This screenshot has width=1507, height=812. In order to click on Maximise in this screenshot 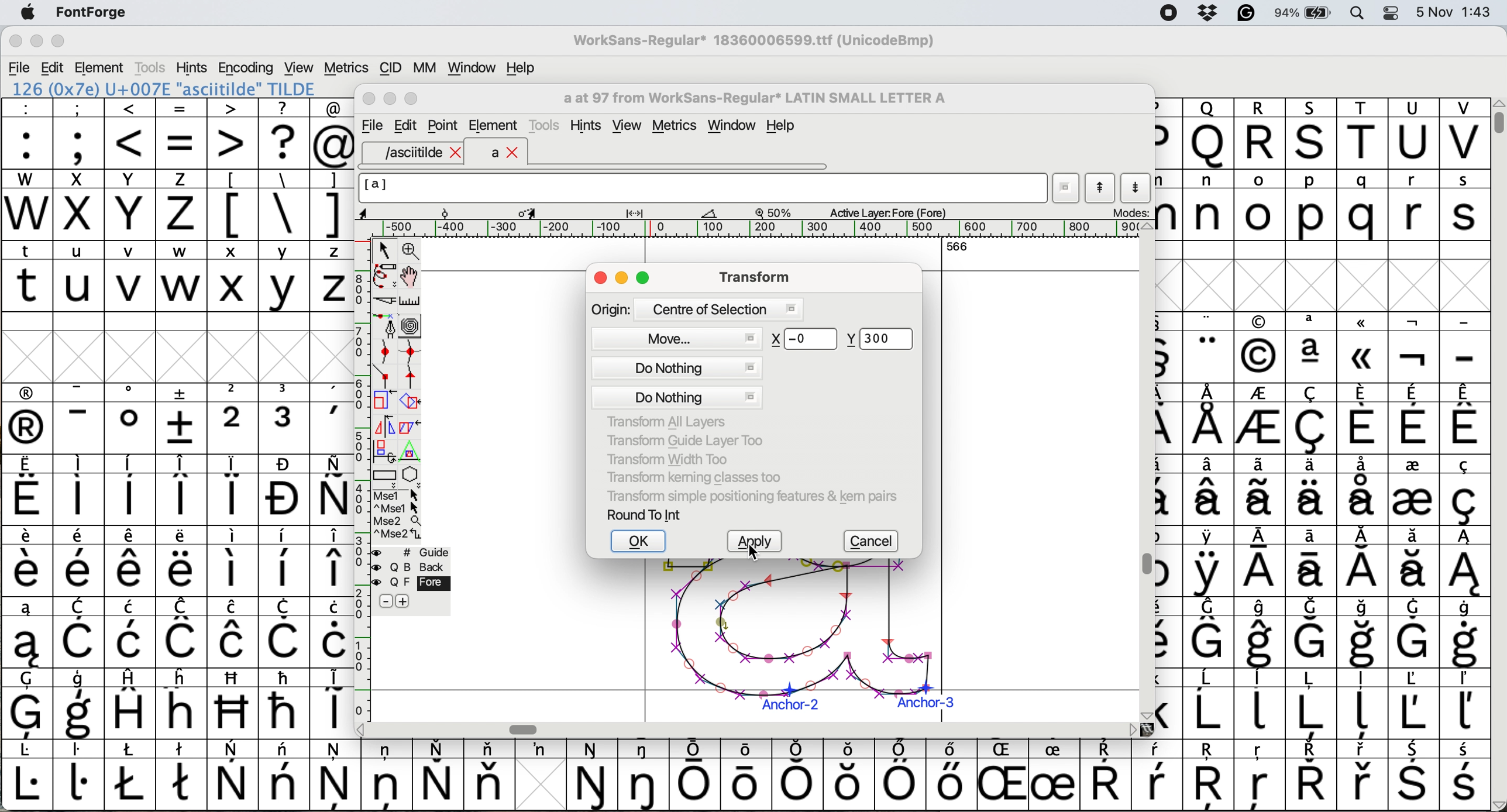, I will do `click(414, 99)`.